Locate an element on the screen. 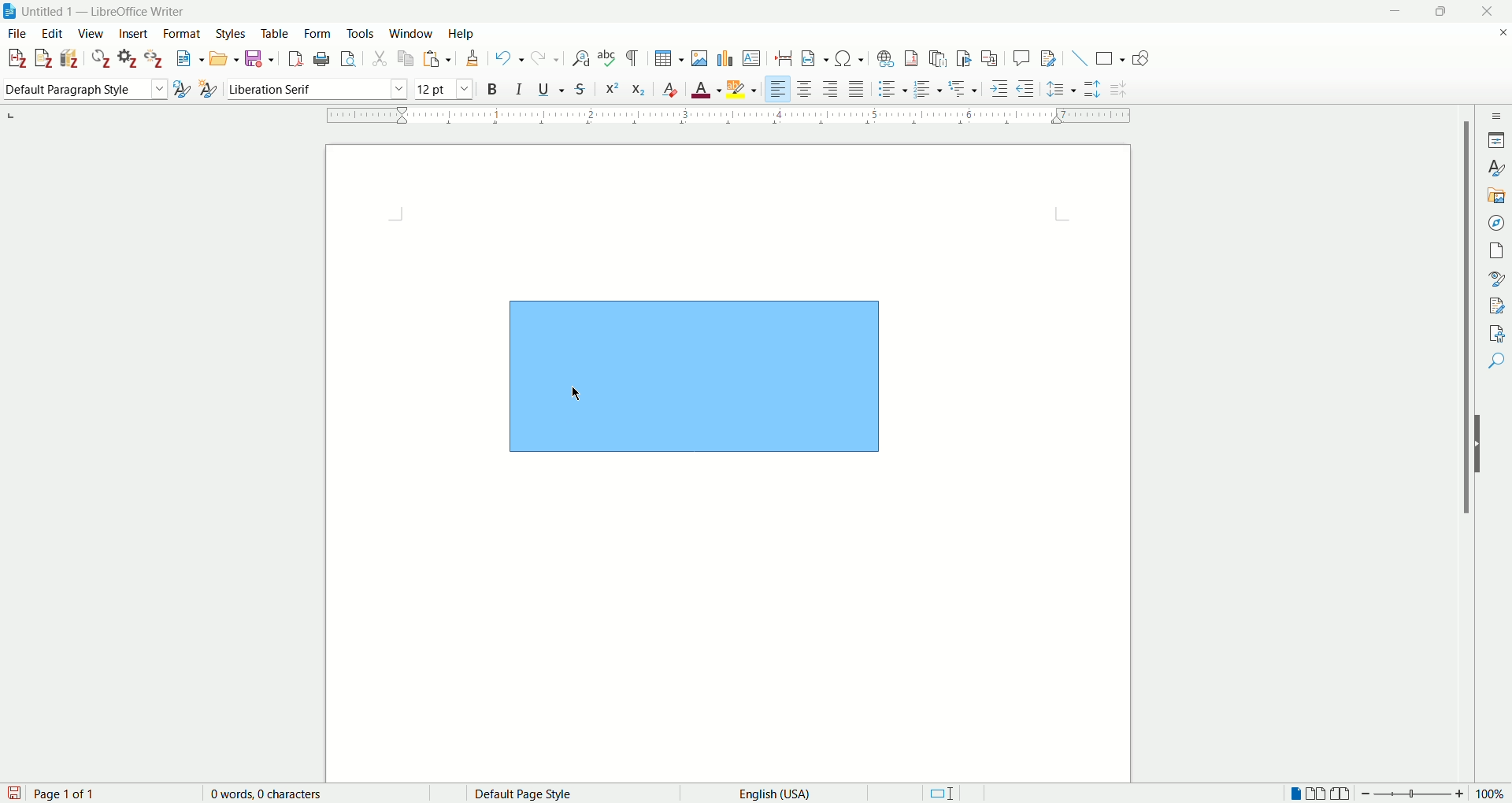 This screenshot has height=803, width=1512. insert chart is located at coordinates (726, 60).